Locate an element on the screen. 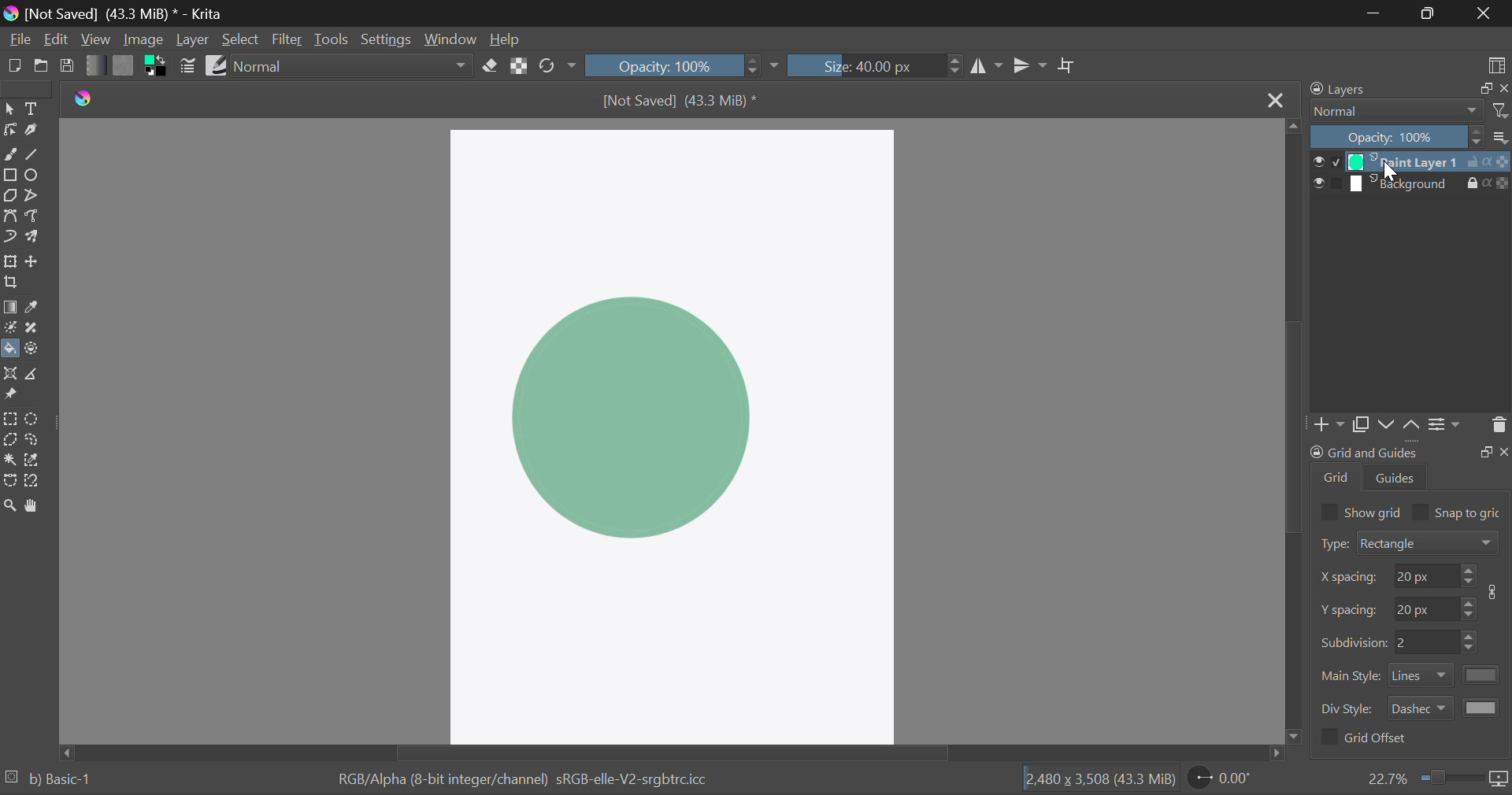 The height and width of the screenshot is (795, 1512). Continuous Selection is located at coordinates (9, 462).